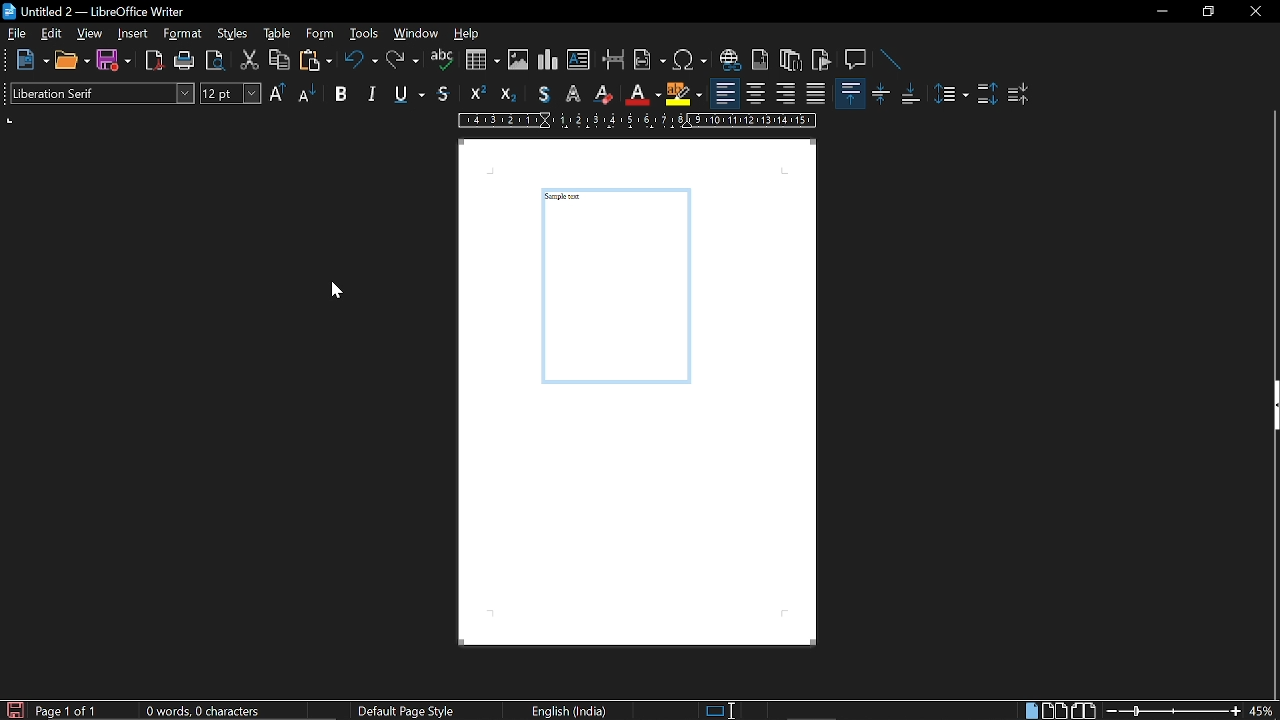 The image size is (1280, 720). Describe the element at coordinates (603, 95) in the screenshot. I see `Eraser` at that location.